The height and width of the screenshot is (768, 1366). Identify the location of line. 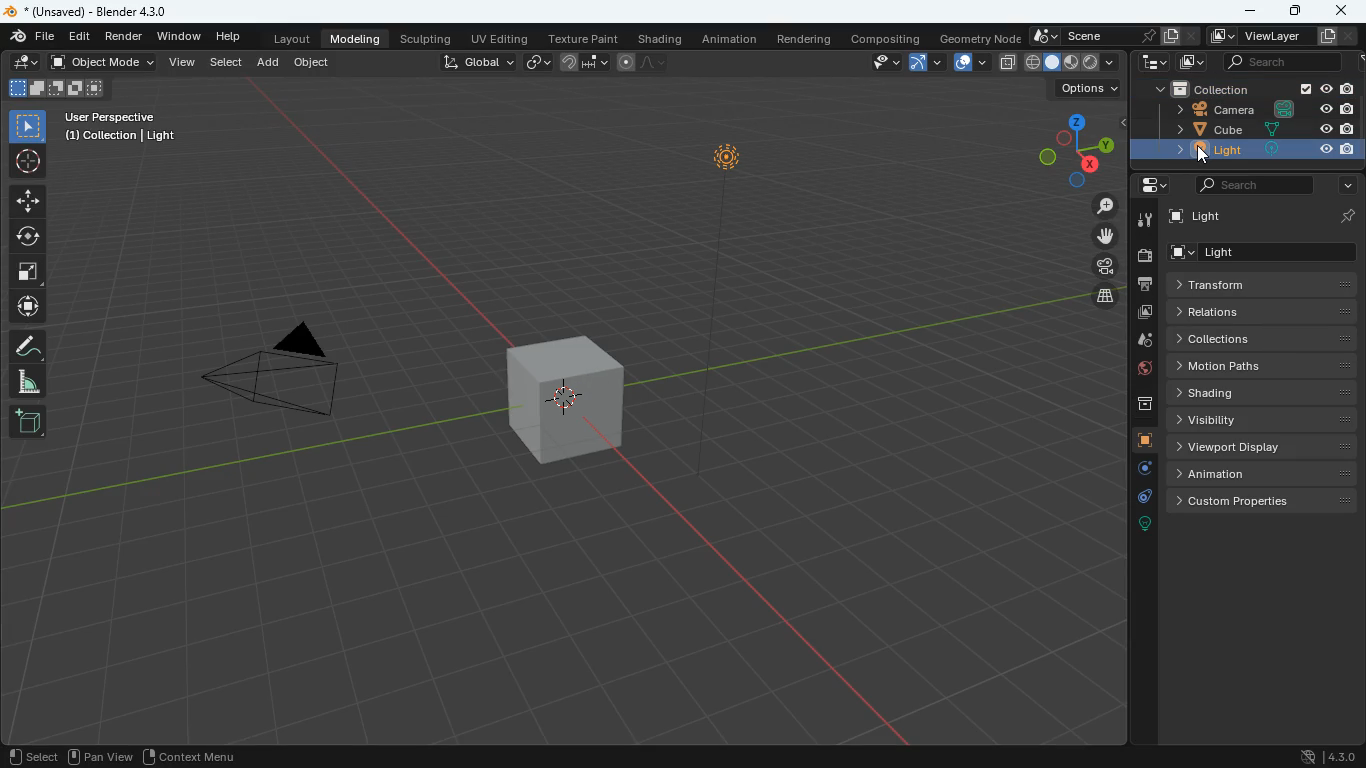
(645, 61).